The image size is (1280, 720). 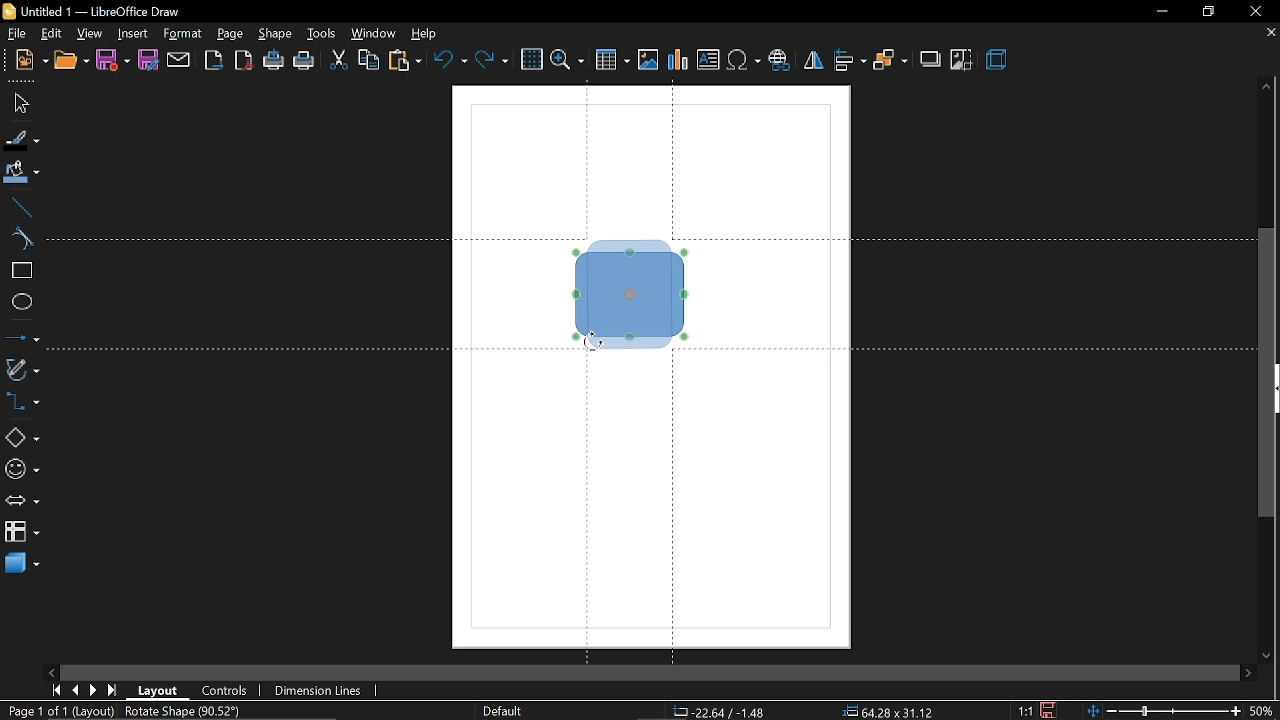 What do you see at coordinates (133, 35) in the screenshot?
I see `insert` at bounding box center [133, 35].